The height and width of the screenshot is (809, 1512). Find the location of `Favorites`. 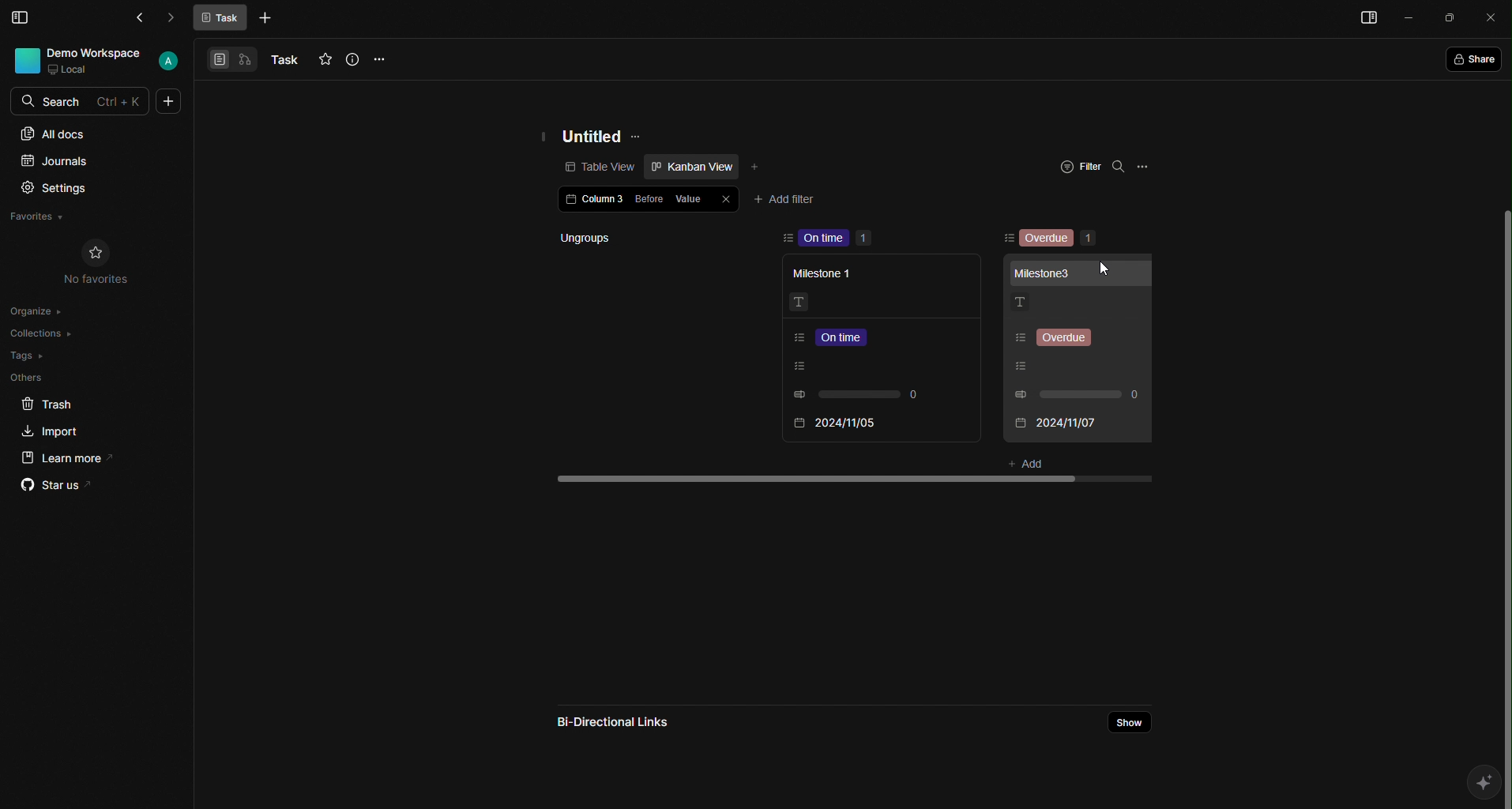

Favorites is located at coordinates (39, 216).